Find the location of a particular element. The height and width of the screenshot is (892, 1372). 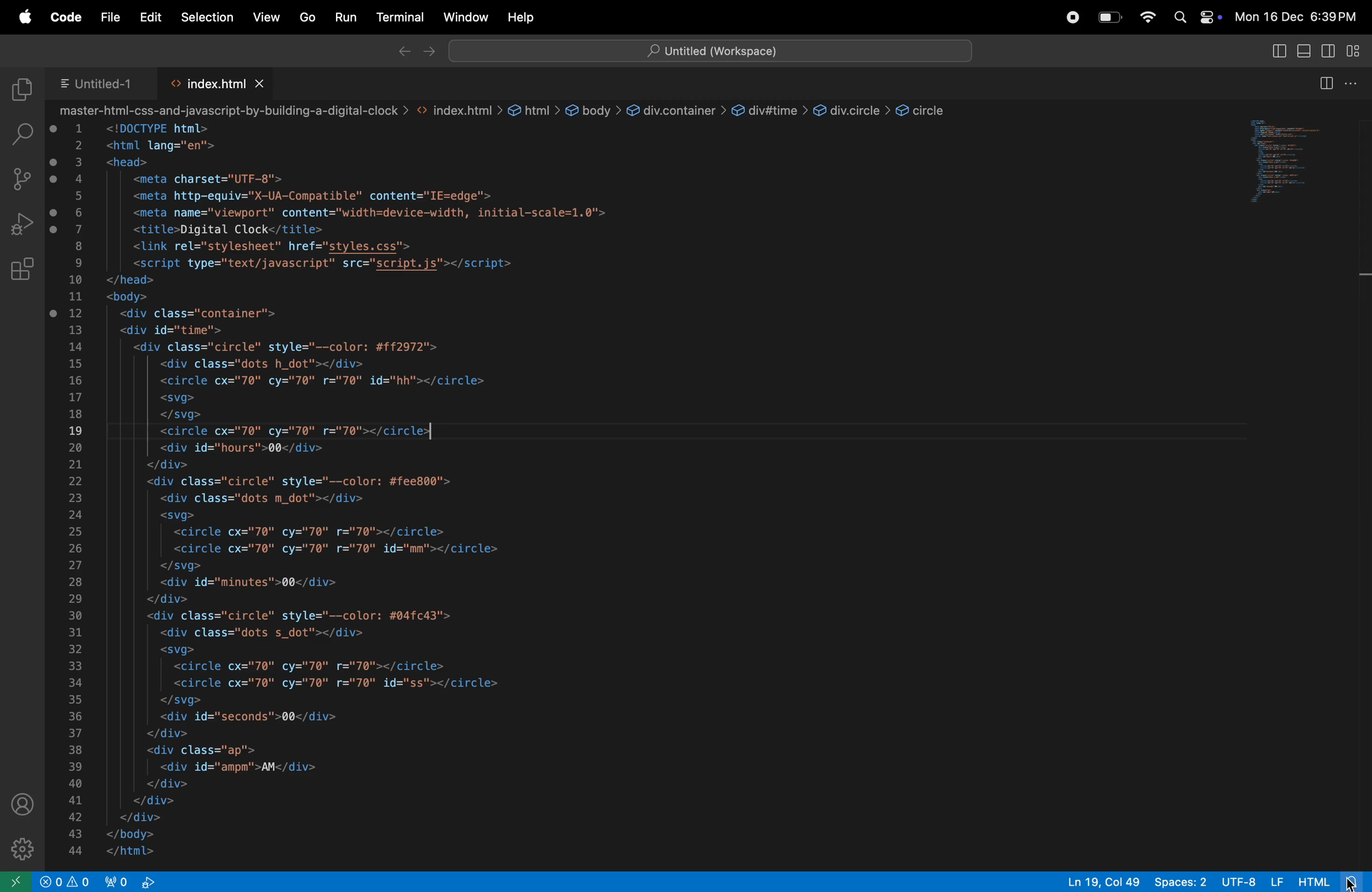

forward is located at coordinates (428, 52).